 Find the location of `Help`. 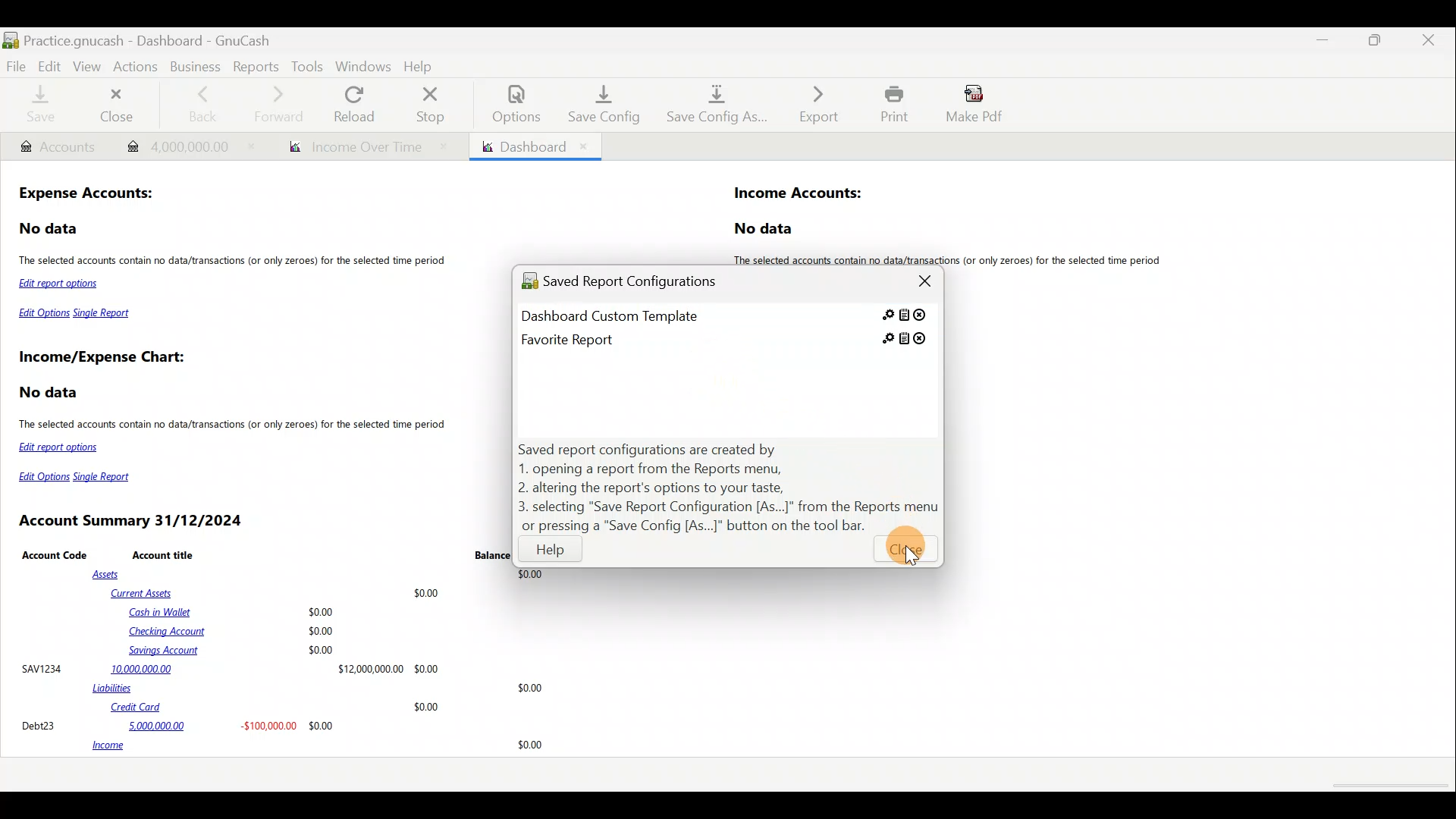

Help is located at coordinates (422, 64).